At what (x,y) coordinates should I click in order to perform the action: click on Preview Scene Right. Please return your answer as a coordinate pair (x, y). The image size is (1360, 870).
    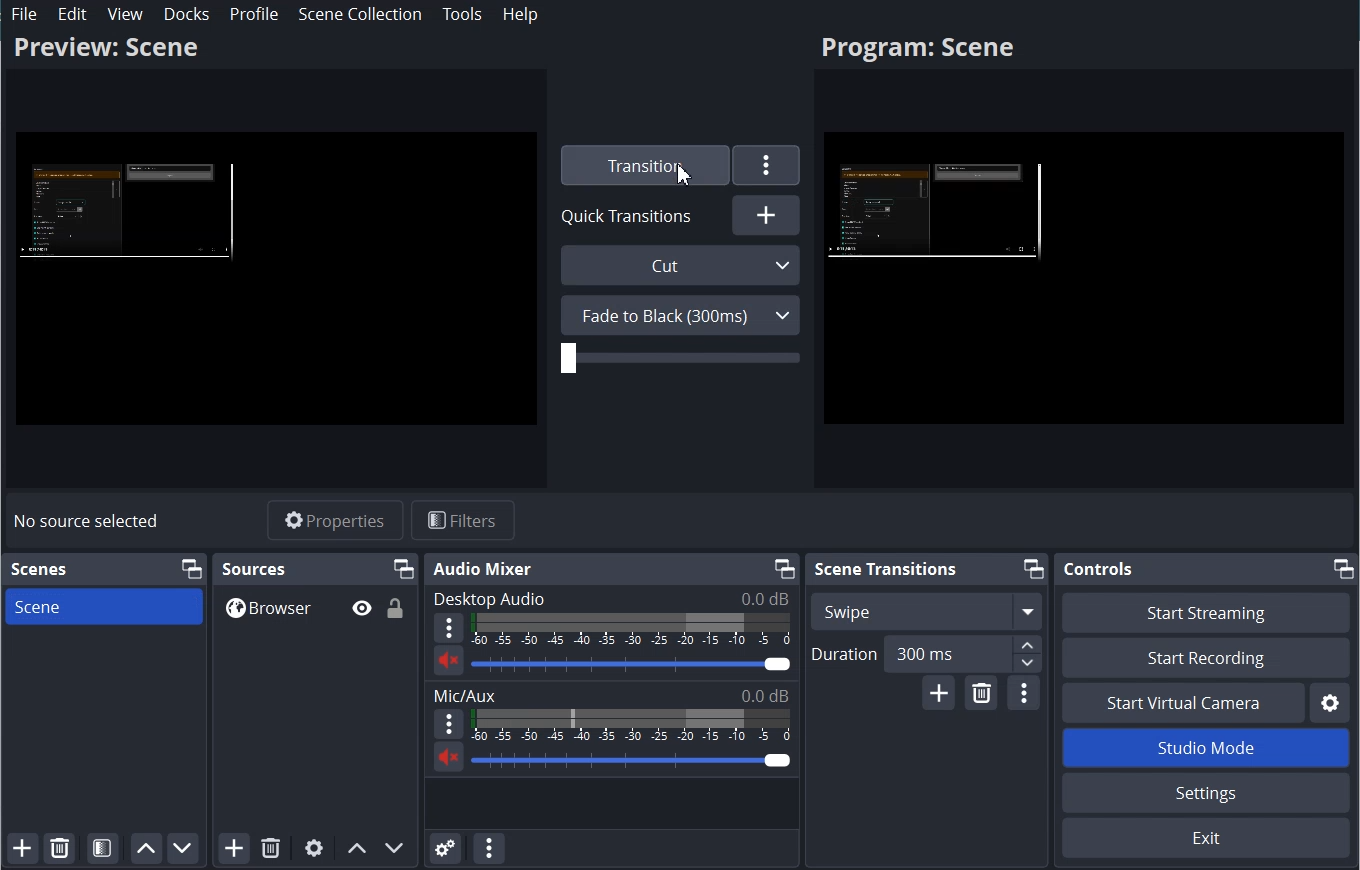
    Looking at the image, I should click on (1084, 282).